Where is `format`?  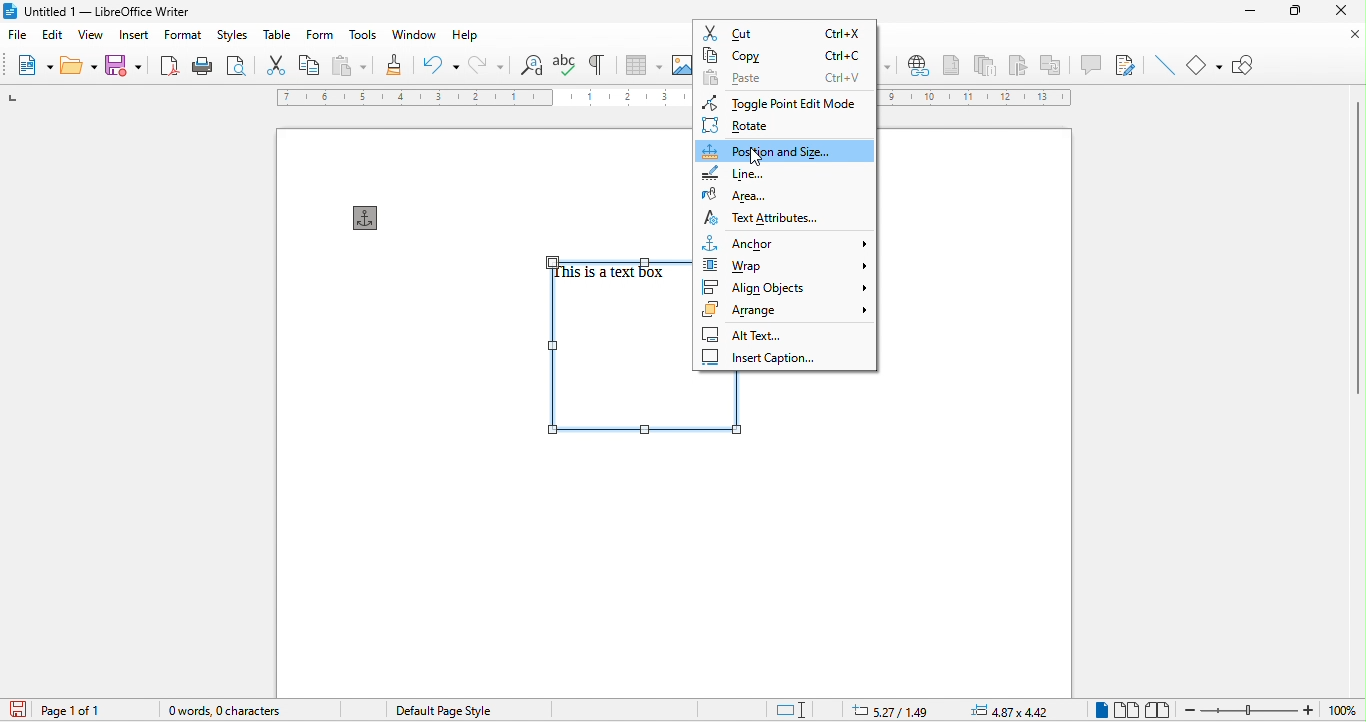 format is located at coordinates (183, 36).